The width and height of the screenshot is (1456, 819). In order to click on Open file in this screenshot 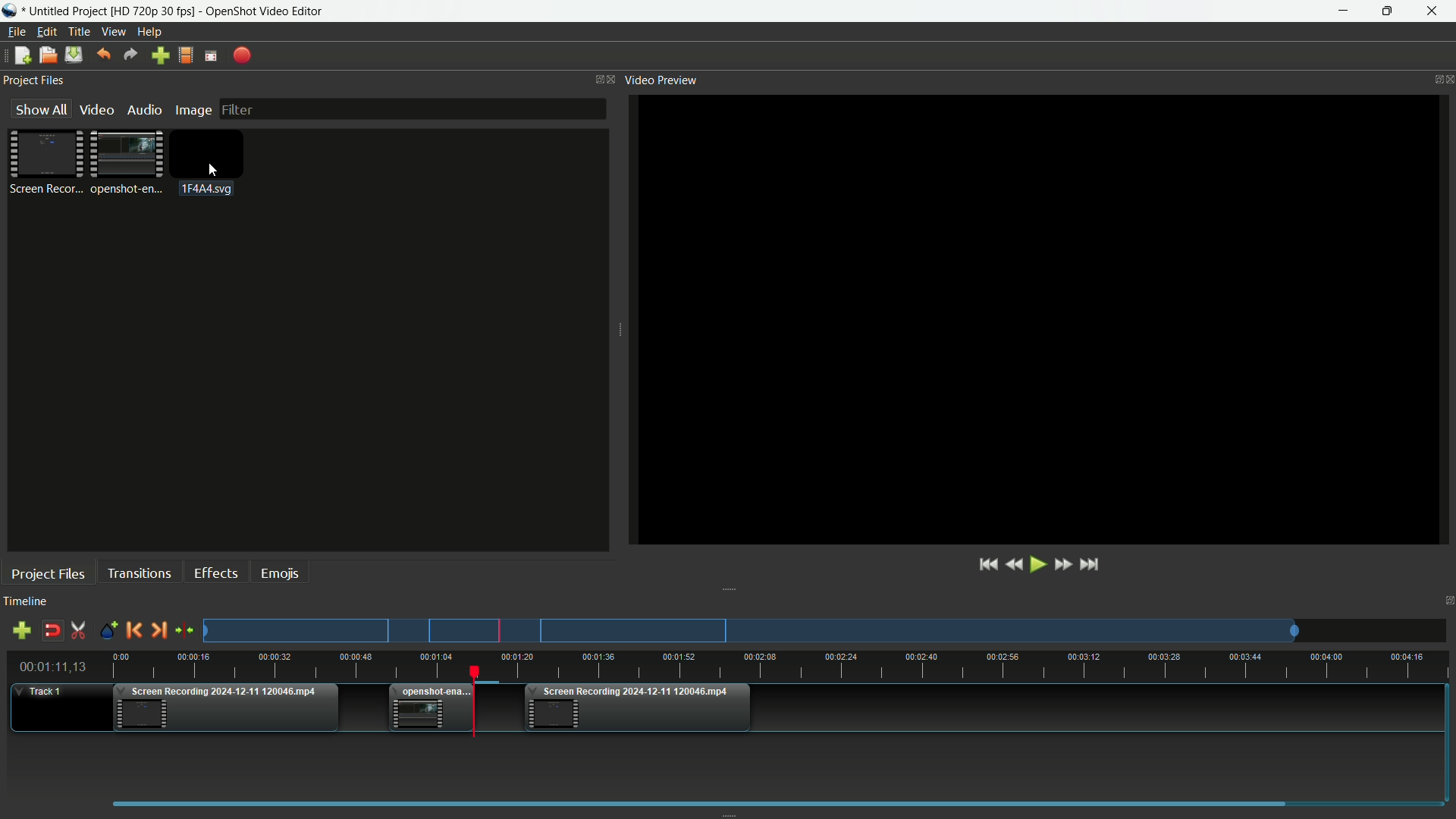, I will do `click(47, 57)`.